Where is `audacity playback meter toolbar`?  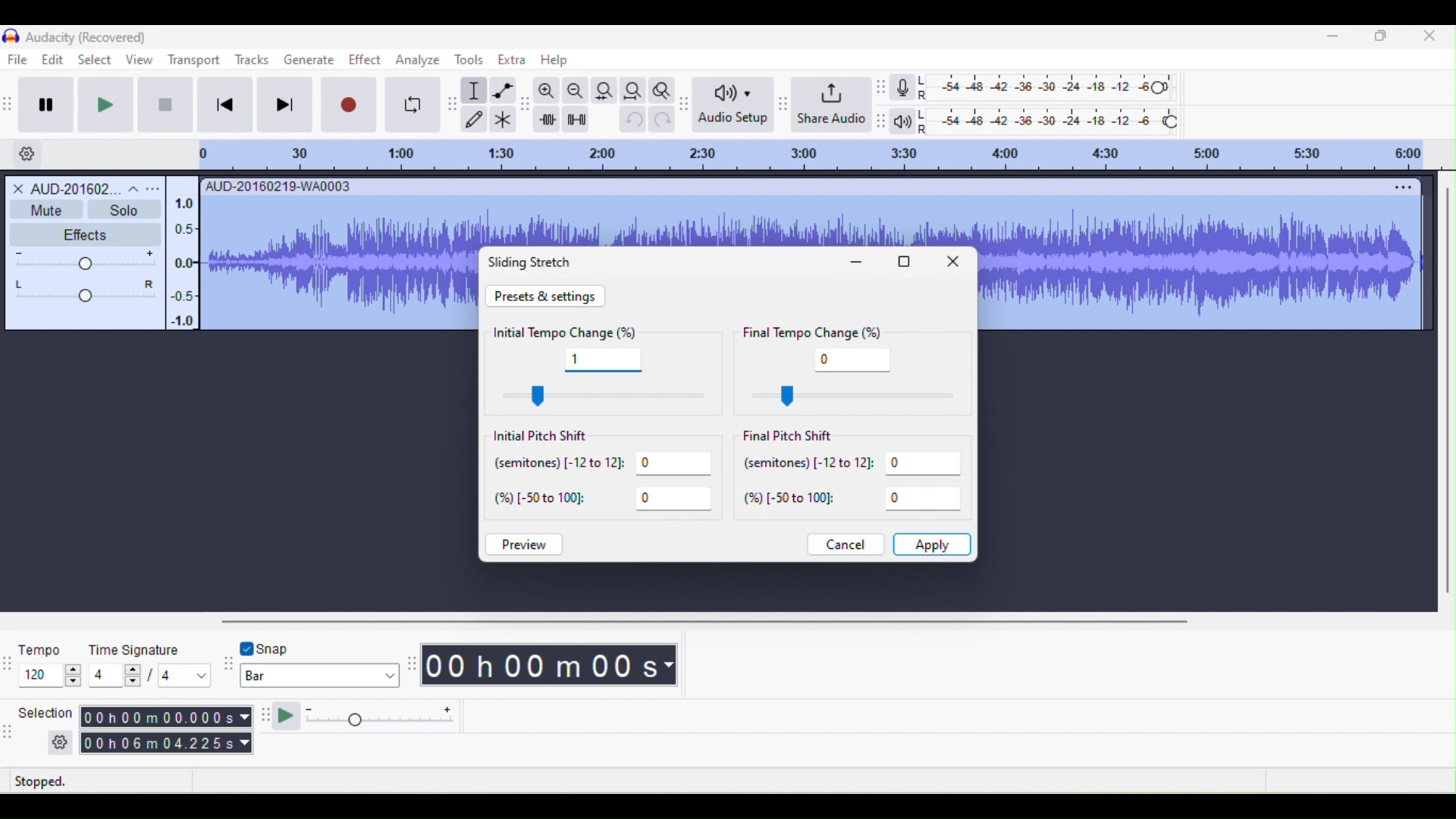
audacity playback meter toolbar is located at coordinates (884, 119).